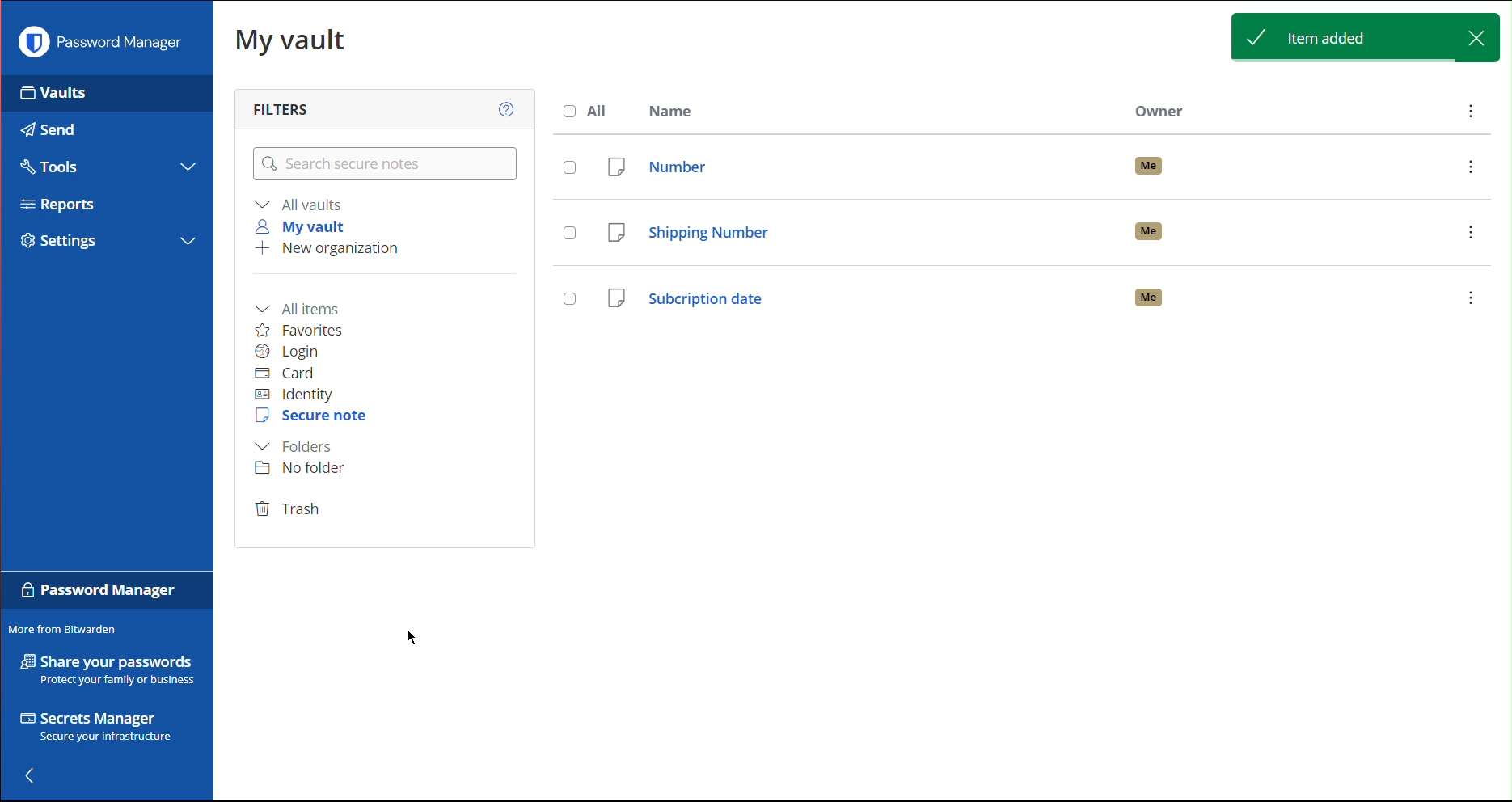  I want to click on Subscription Date, so click(1032, 304).